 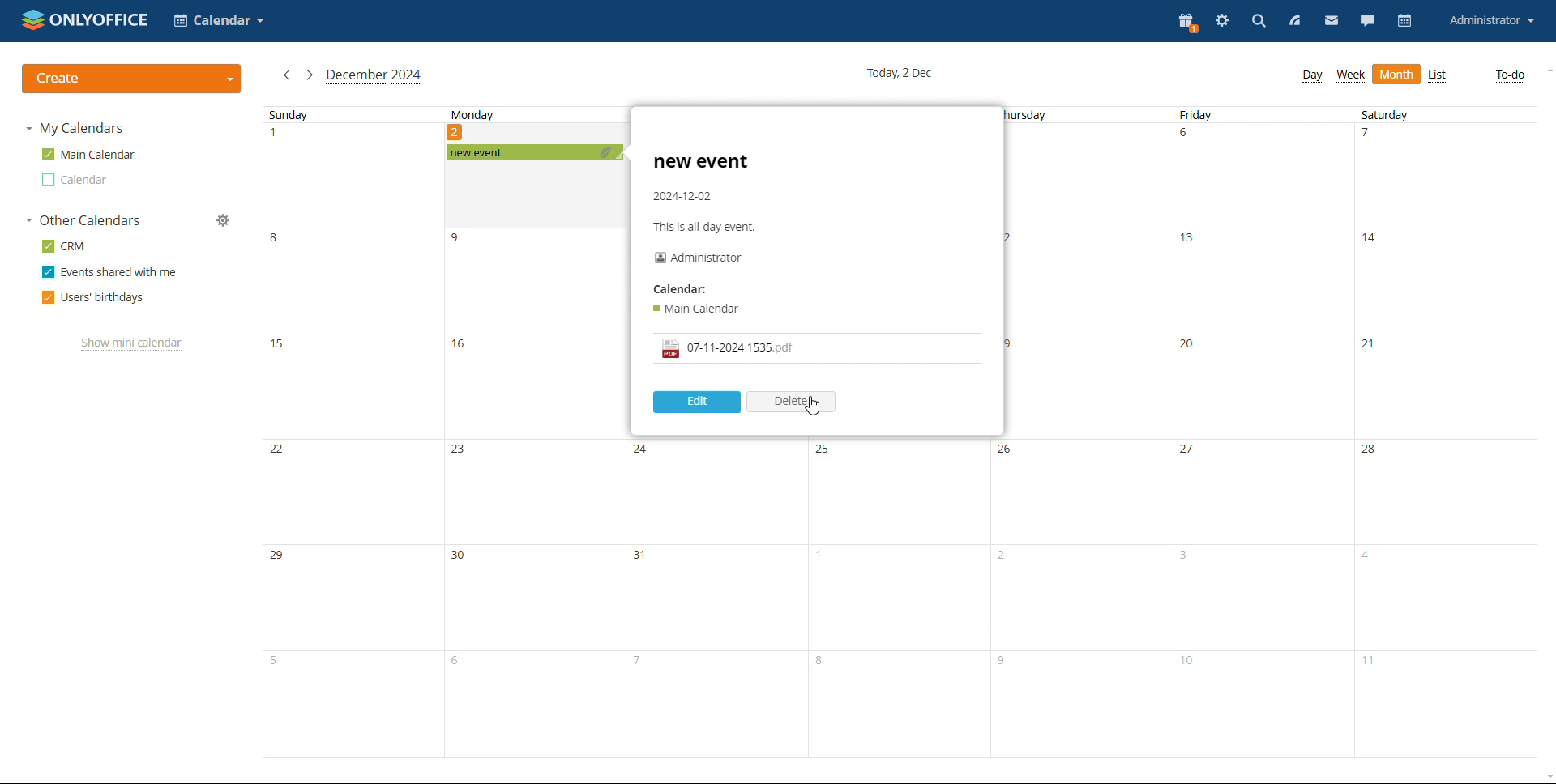 I want to click on ONLYOFFICE, so click(x=85, y=19).